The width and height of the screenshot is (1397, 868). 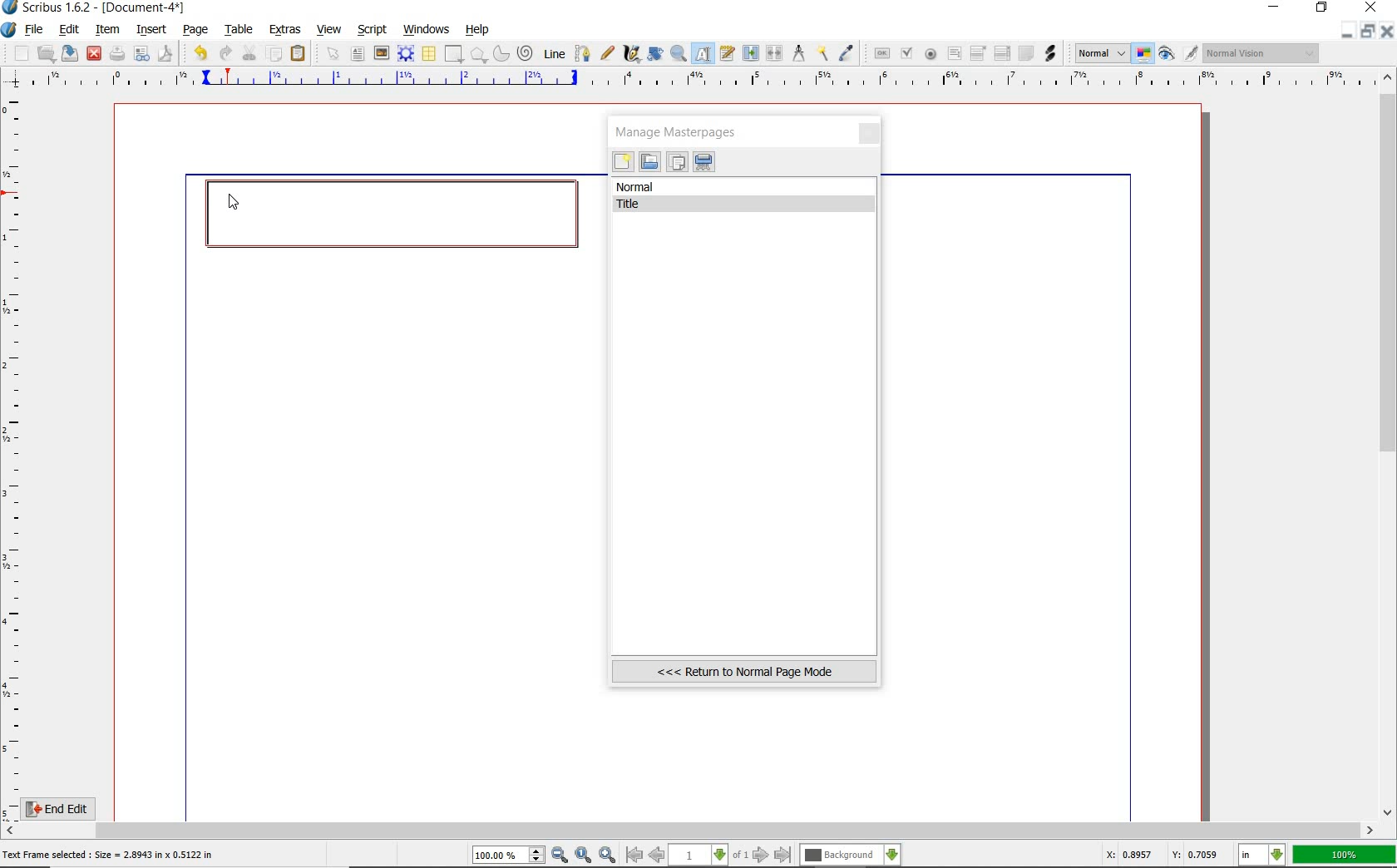 I want to click on render frame, so click(x=406, y=53).